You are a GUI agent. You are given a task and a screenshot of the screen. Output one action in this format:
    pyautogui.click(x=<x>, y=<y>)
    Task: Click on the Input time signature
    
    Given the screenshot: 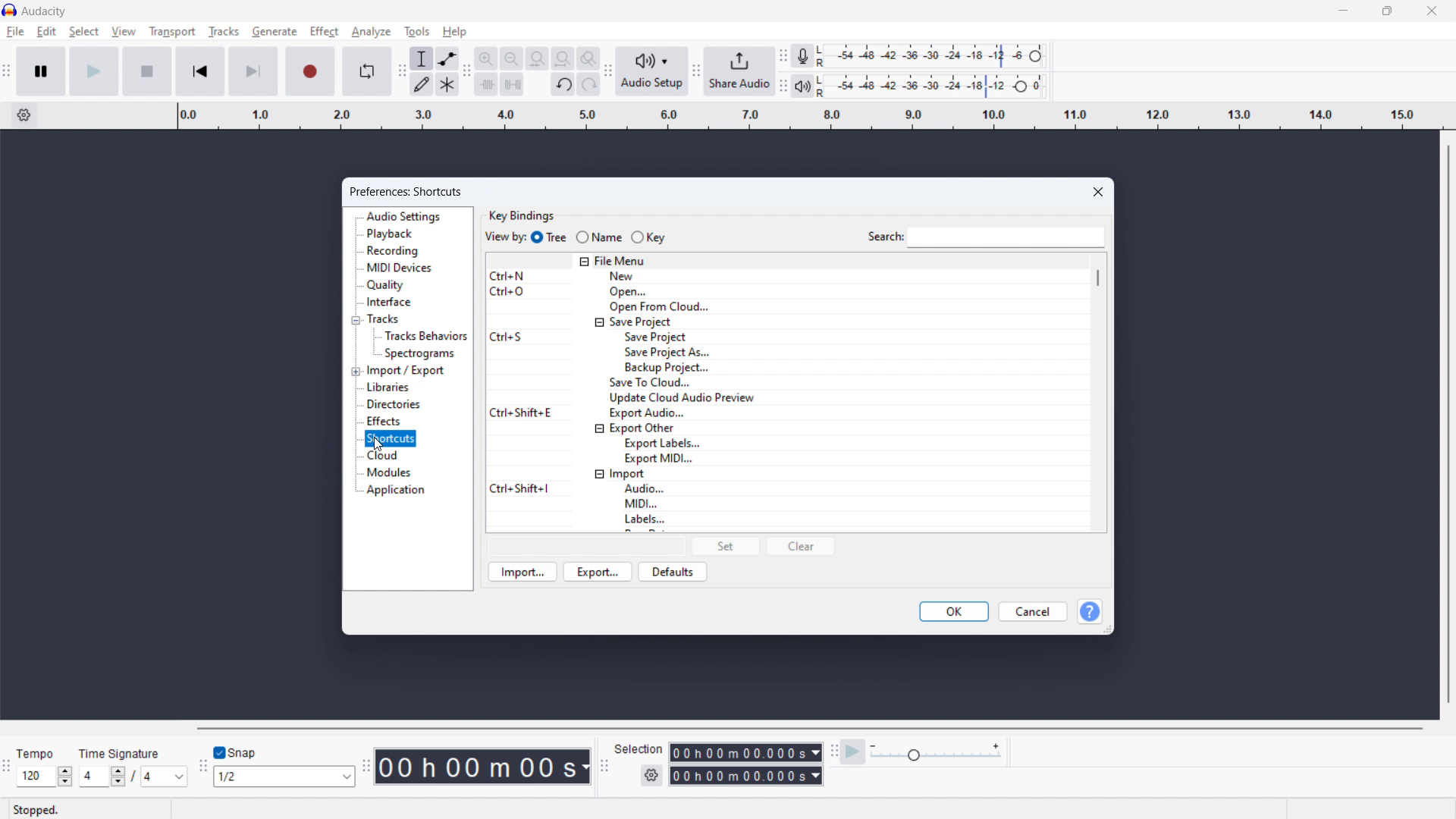 What is the action you would take?
    pyautogui.click(x=93, y=777)
    